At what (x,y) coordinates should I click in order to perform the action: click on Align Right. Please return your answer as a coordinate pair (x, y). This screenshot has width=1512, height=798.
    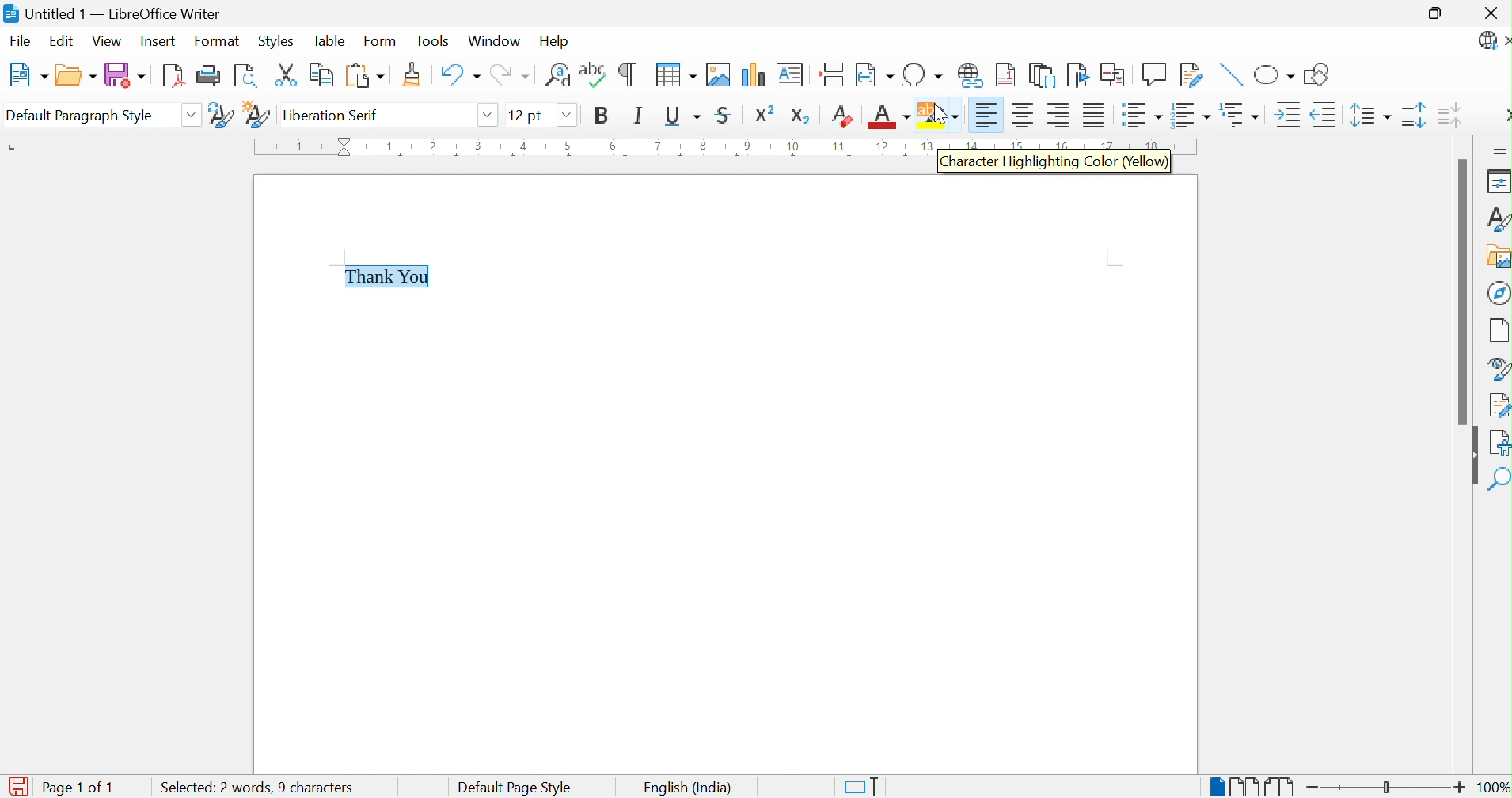
    Looking at the image, I should click on (1059, 113).